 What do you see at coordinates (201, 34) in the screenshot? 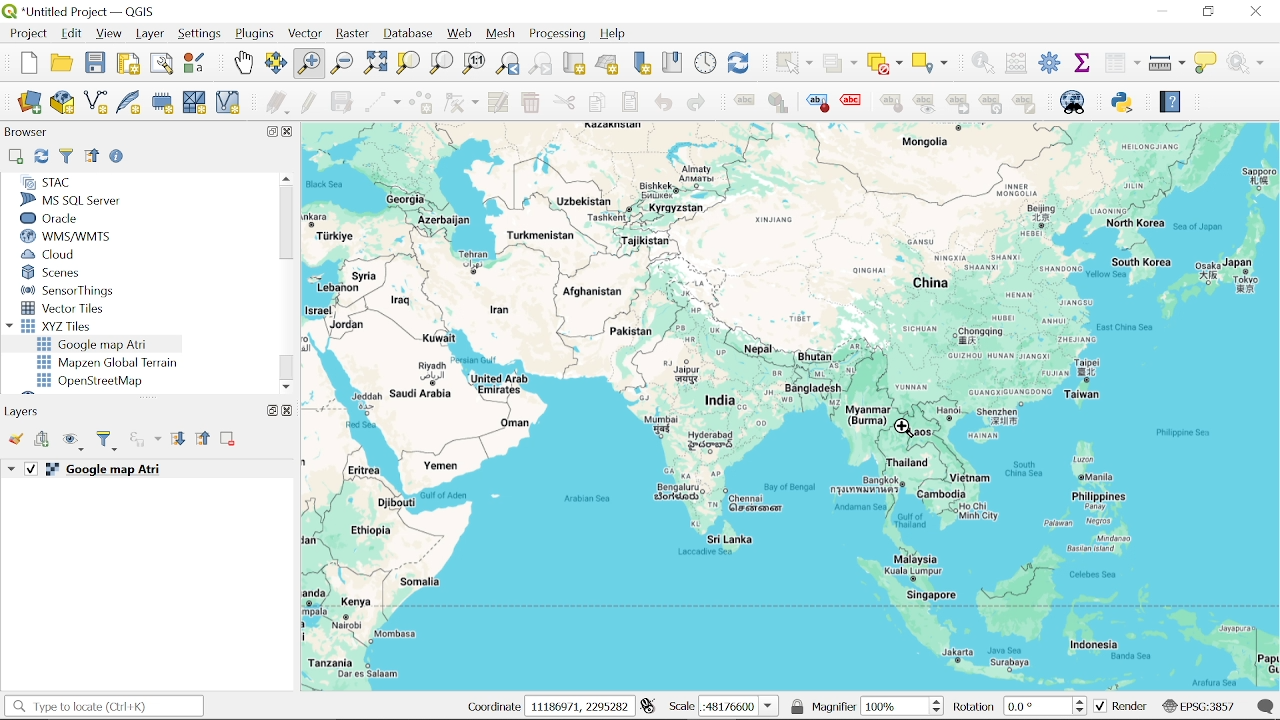
I see `Settings` at bounding box center [201, 34].